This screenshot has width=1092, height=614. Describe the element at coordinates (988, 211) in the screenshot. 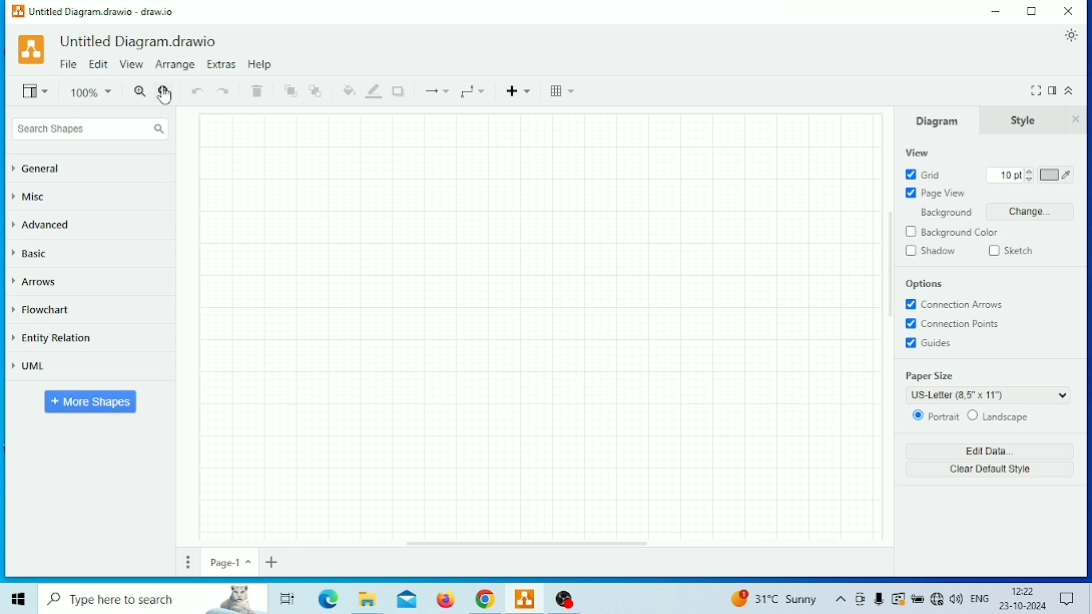

I see `Background` at that location.